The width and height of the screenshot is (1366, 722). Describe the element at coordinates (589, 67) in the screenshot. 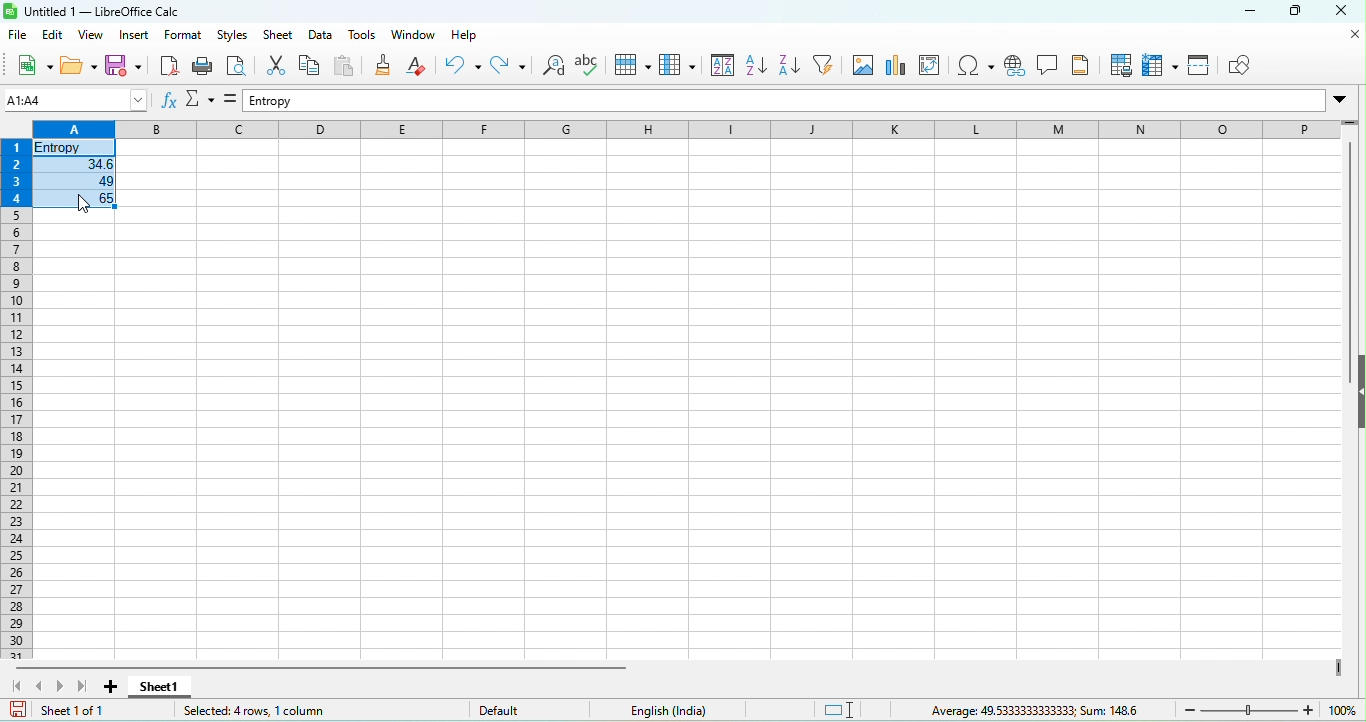

I see `spelling` at that location.